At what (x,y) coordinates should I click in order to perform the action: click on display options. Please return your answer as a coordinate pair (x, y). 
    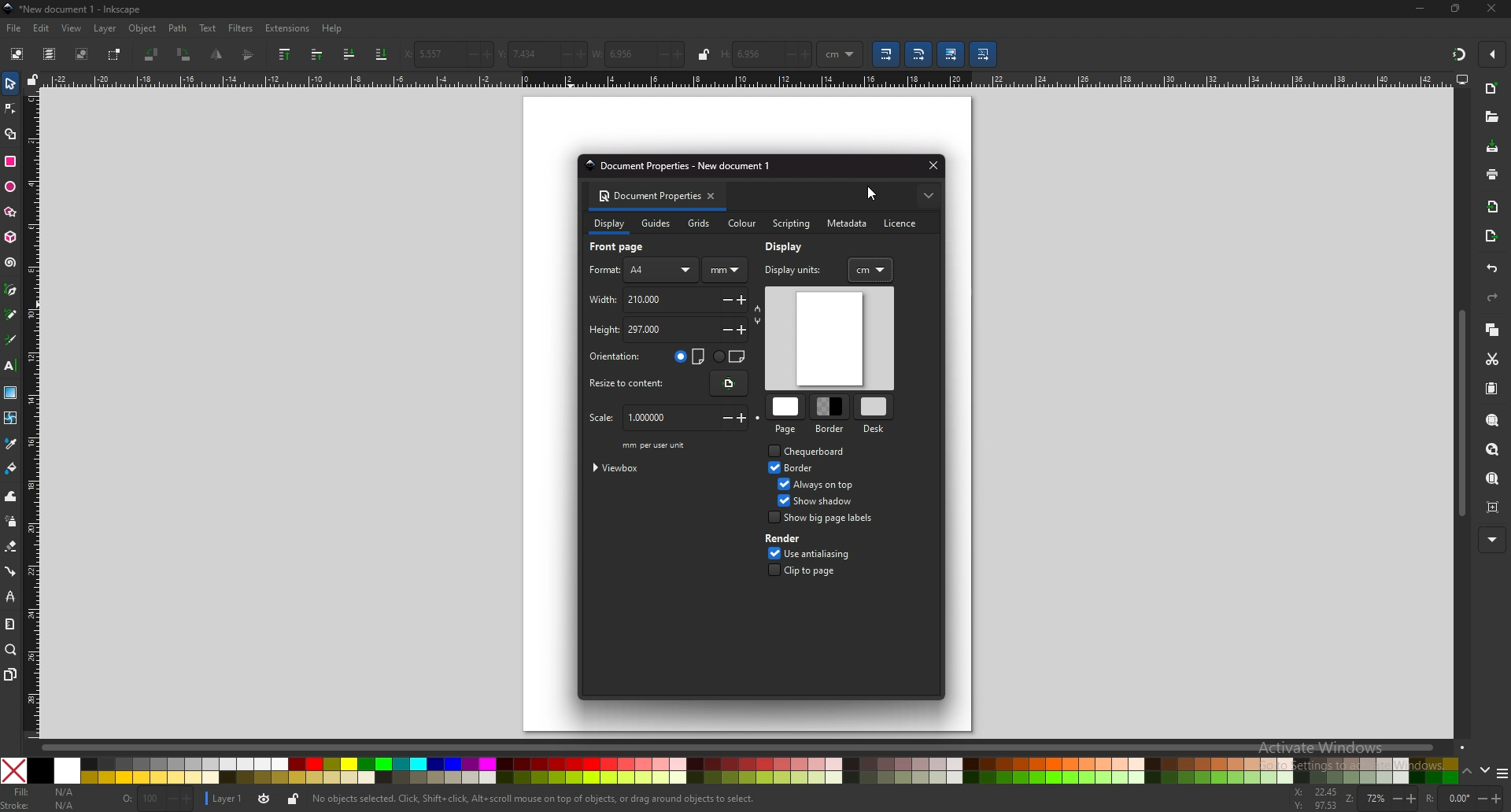
    Looking at the image, I should click on (1462, 79).